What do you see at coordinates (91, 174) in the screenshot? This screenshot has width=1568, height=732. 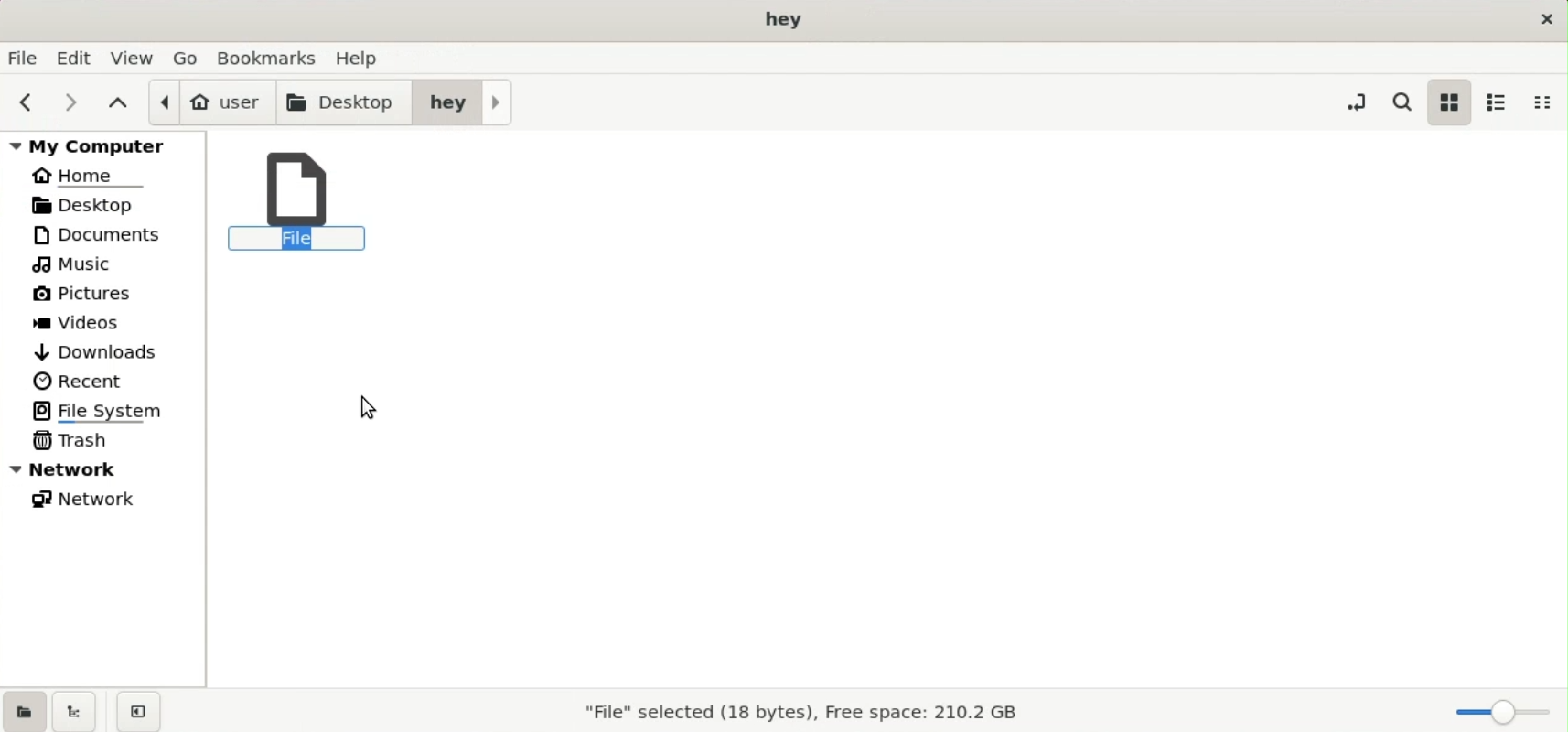 I see `home` at bounding box center [91, 174].